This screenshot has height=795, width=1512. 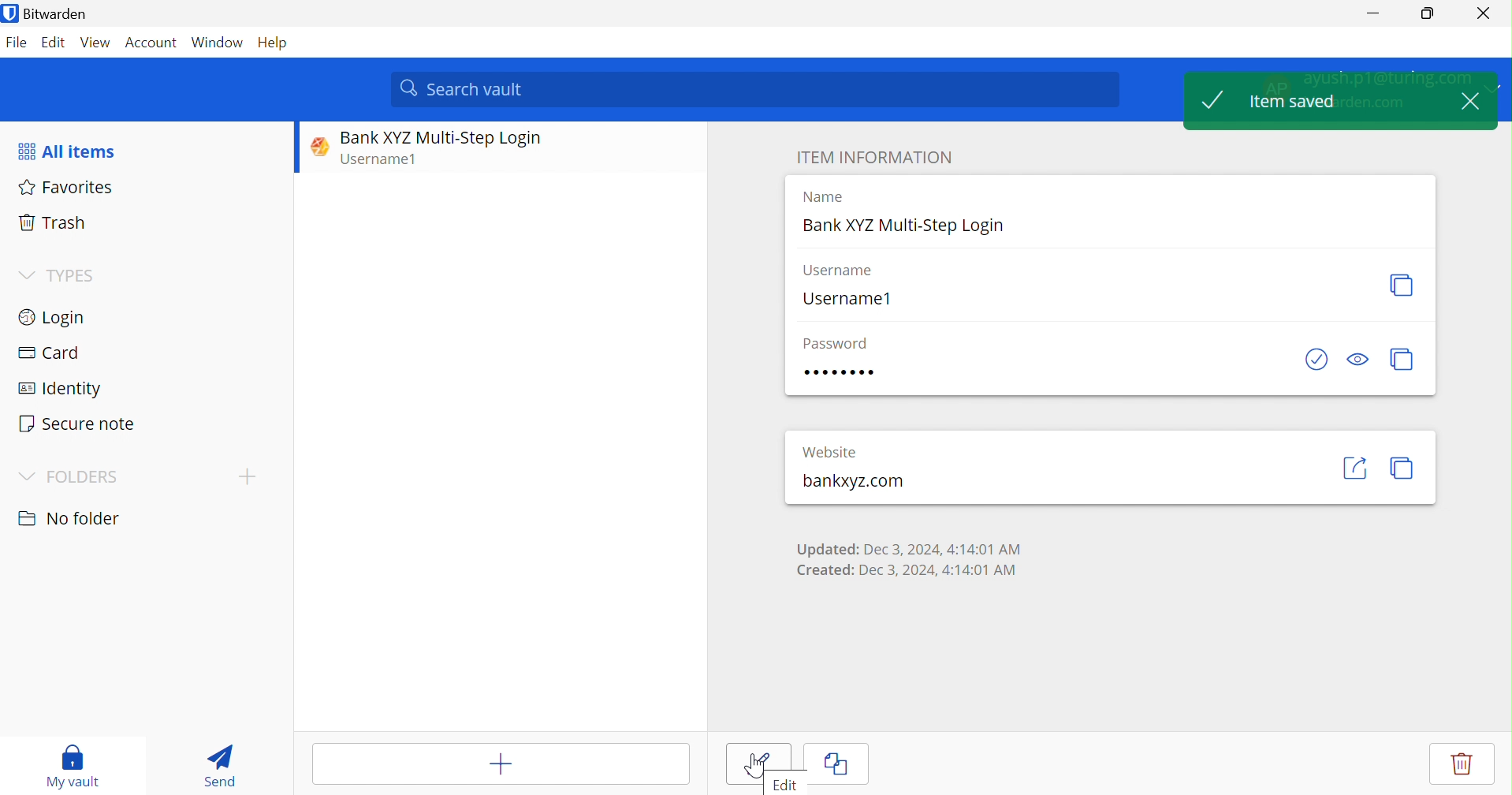 I want to click on No folder, so click(x=73, y=519).